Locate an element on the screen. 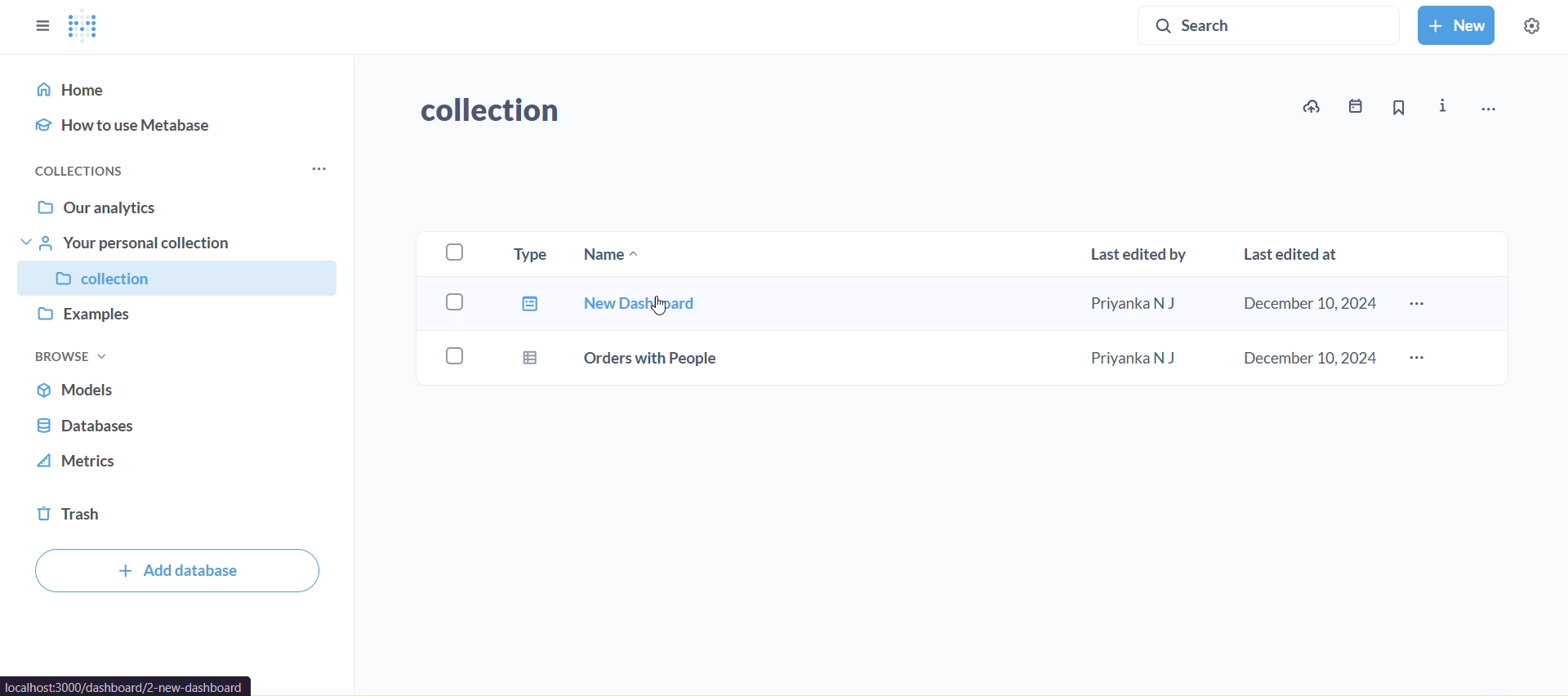 Image resolution: width=1568 pixels, height=696 pixels. new dashboard is located at coordinates (609, 305).